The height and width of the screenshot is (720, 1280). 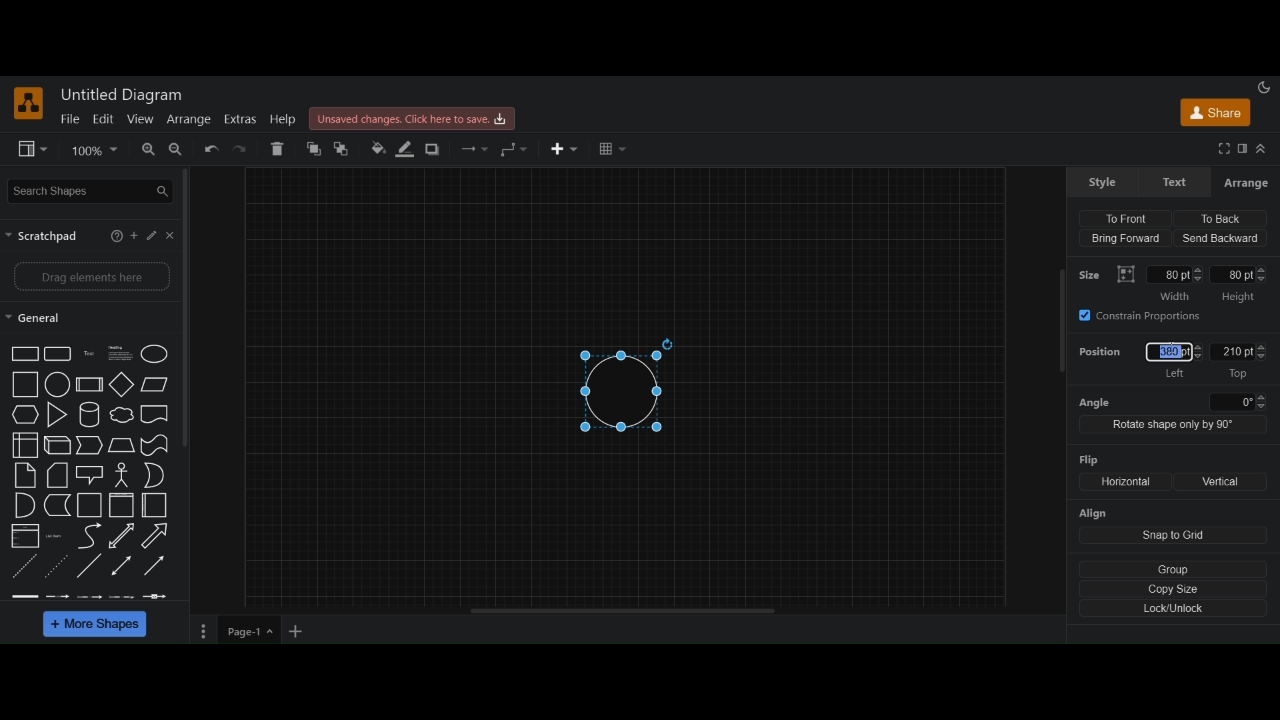 I want to click on arrange, so click(x=188, y=119).